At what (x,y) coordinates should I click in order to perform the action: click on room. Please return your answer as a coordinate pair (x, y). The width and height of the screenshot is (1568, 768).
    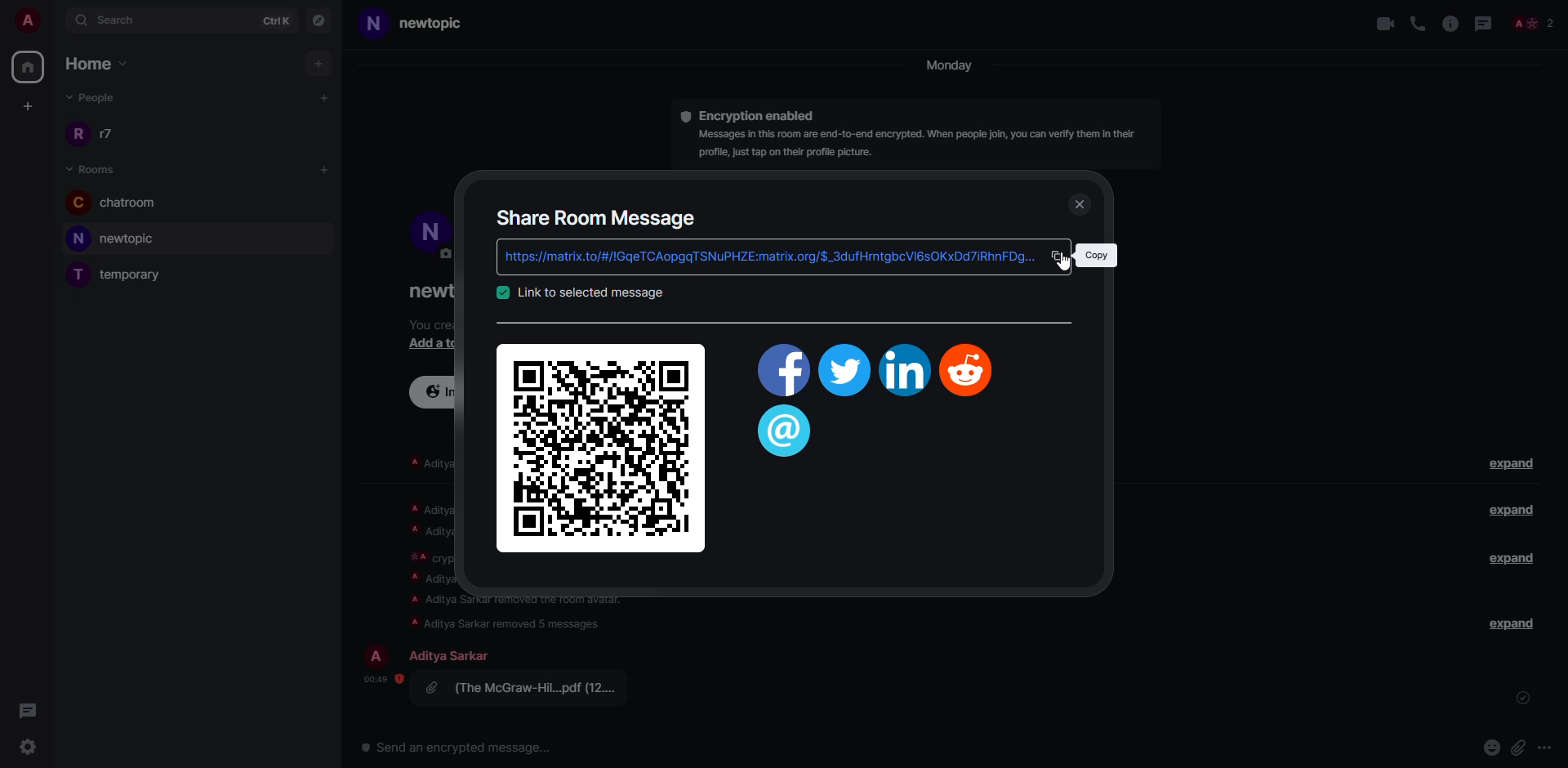
    Looking at the image, I should click on (96, 167).